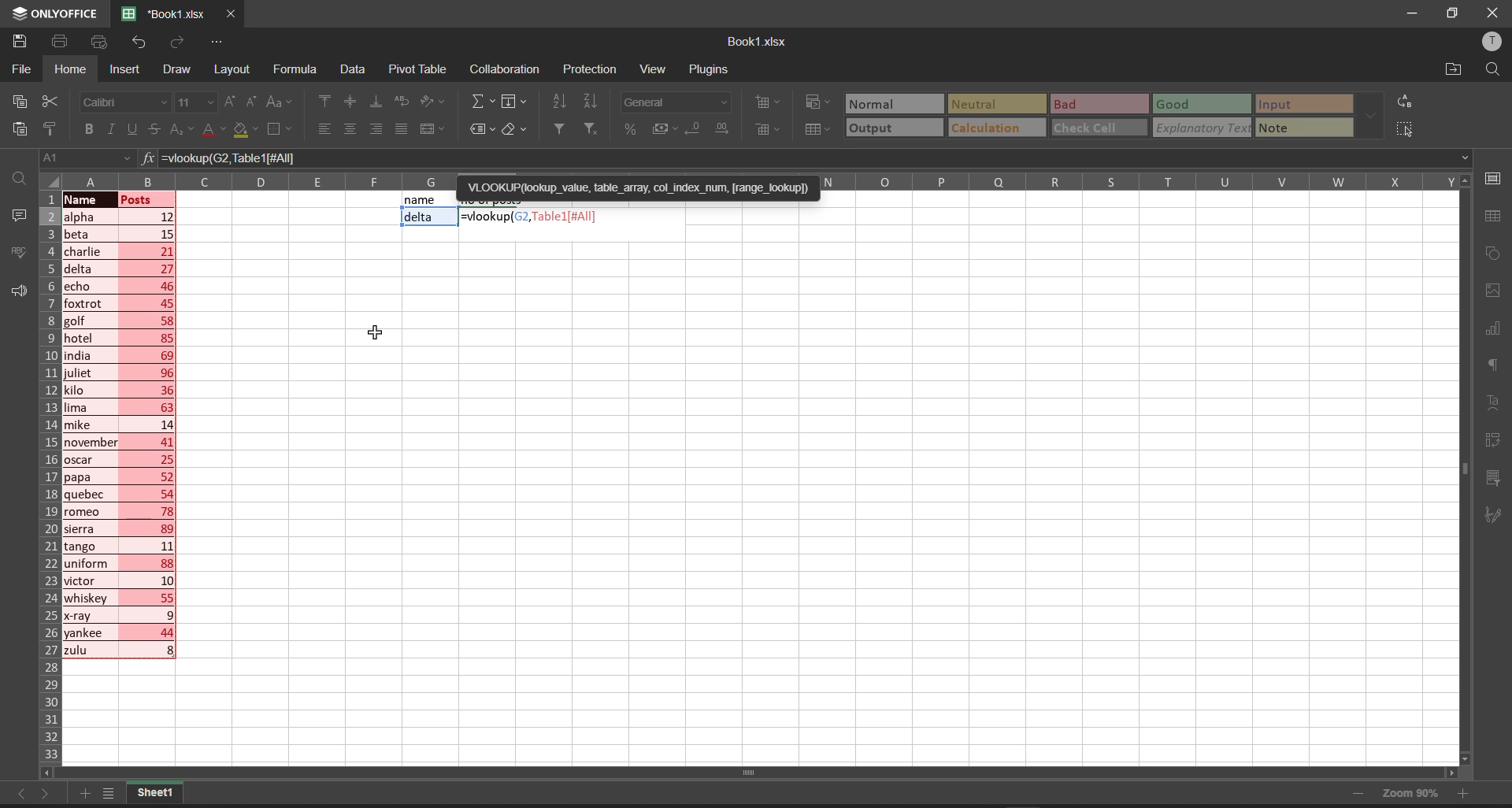 The image size is (1512, 808). What do you see at coordinates (816, 158) in the screenshot?
I see `=vlookup(G2, Table 1[#All]` at bounding box center [816, 158].